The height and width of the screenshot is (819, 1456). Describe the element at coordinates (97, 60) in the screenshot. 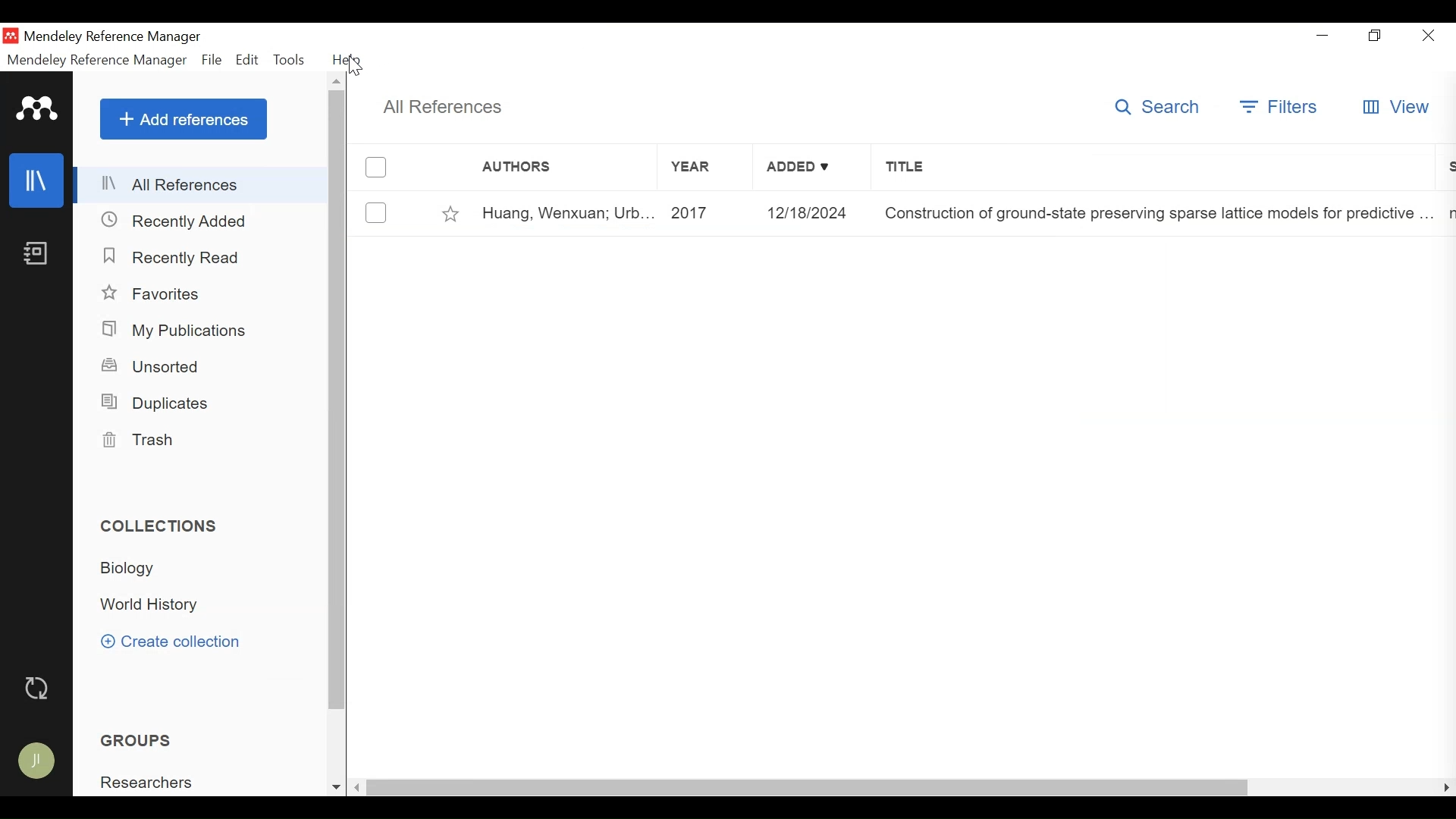

I see `Mendeley Reference Manager` at that location.